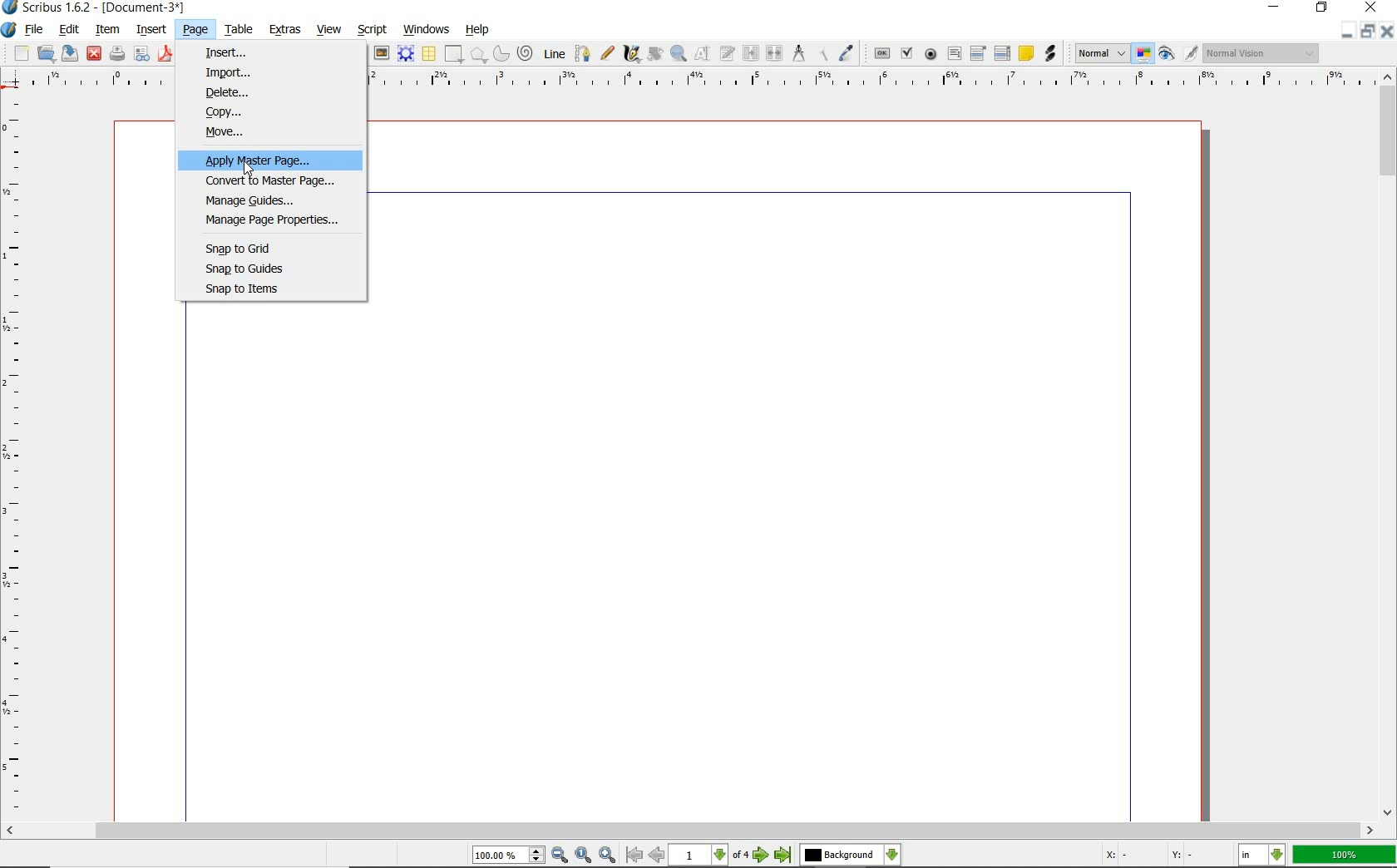  What do you see at coordinates (1389, 33) in the screenshot?
I see `Close` at bounding box center [1389, 33].